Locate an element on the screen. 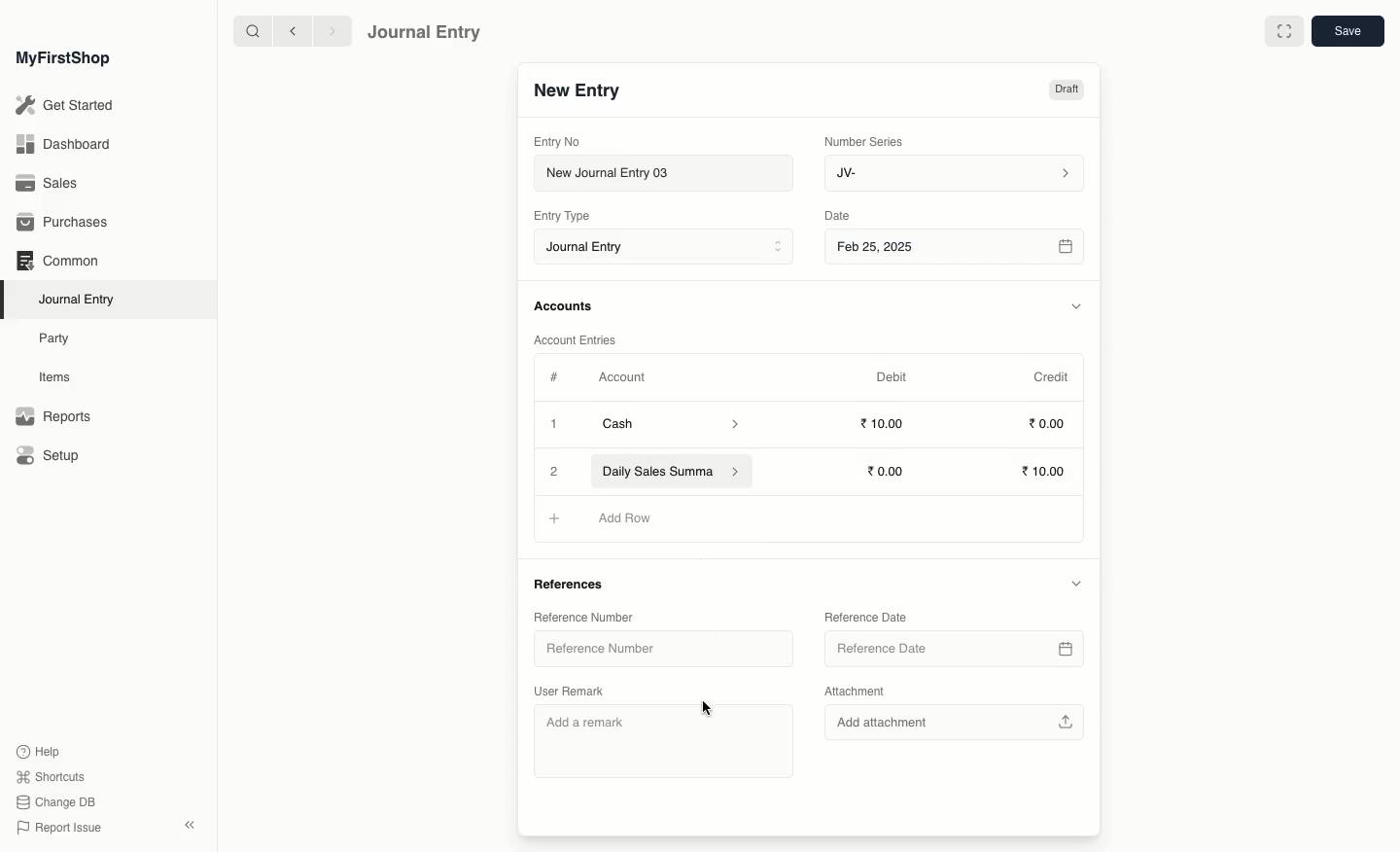 Image resolution: width=1400 pixels, height=852 pixels. Add attachment is located at coordinates (952, 720).